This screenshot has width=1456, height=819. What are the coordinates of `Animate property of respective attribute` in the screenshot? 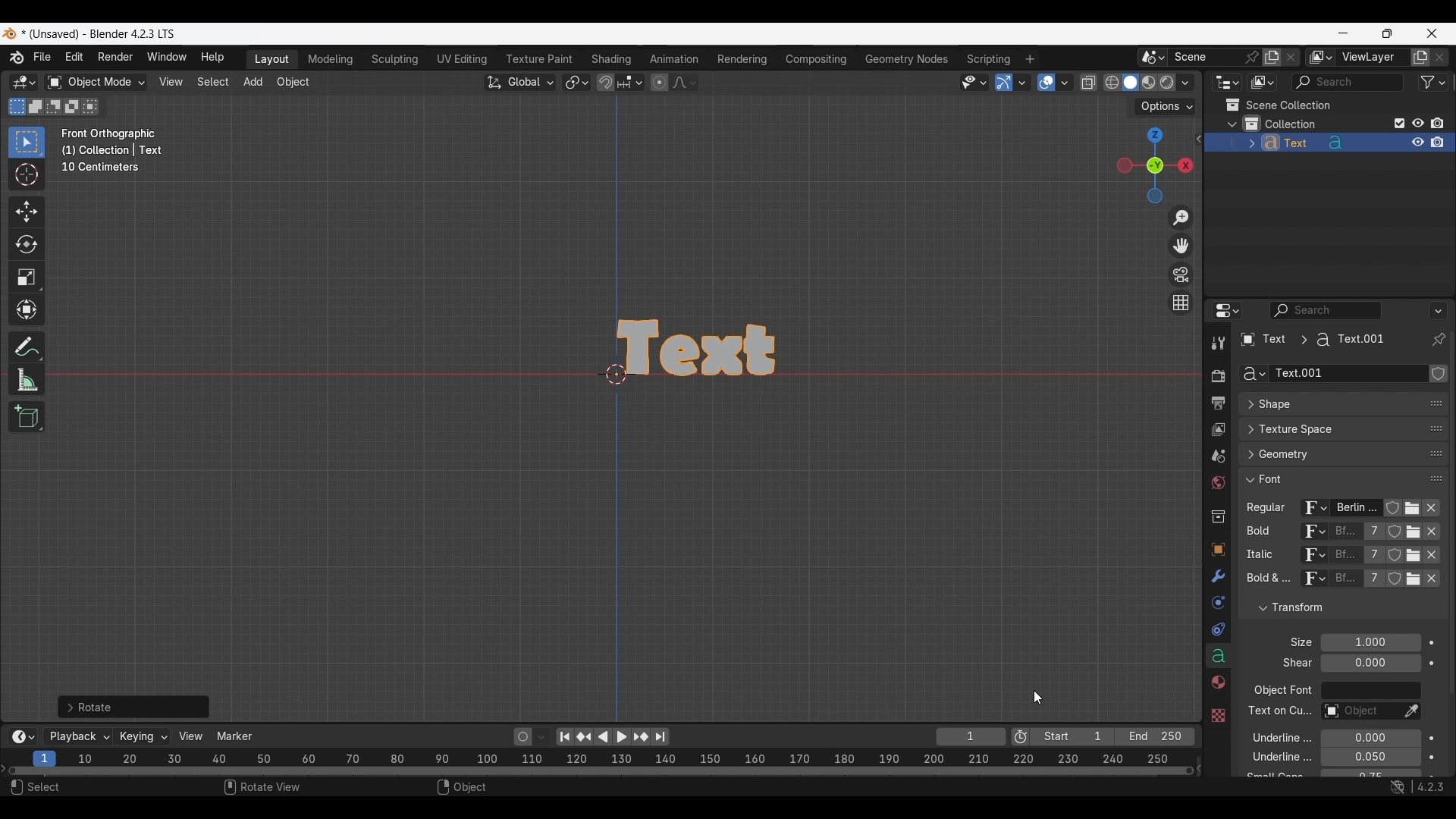 It's located at (1432, 708).